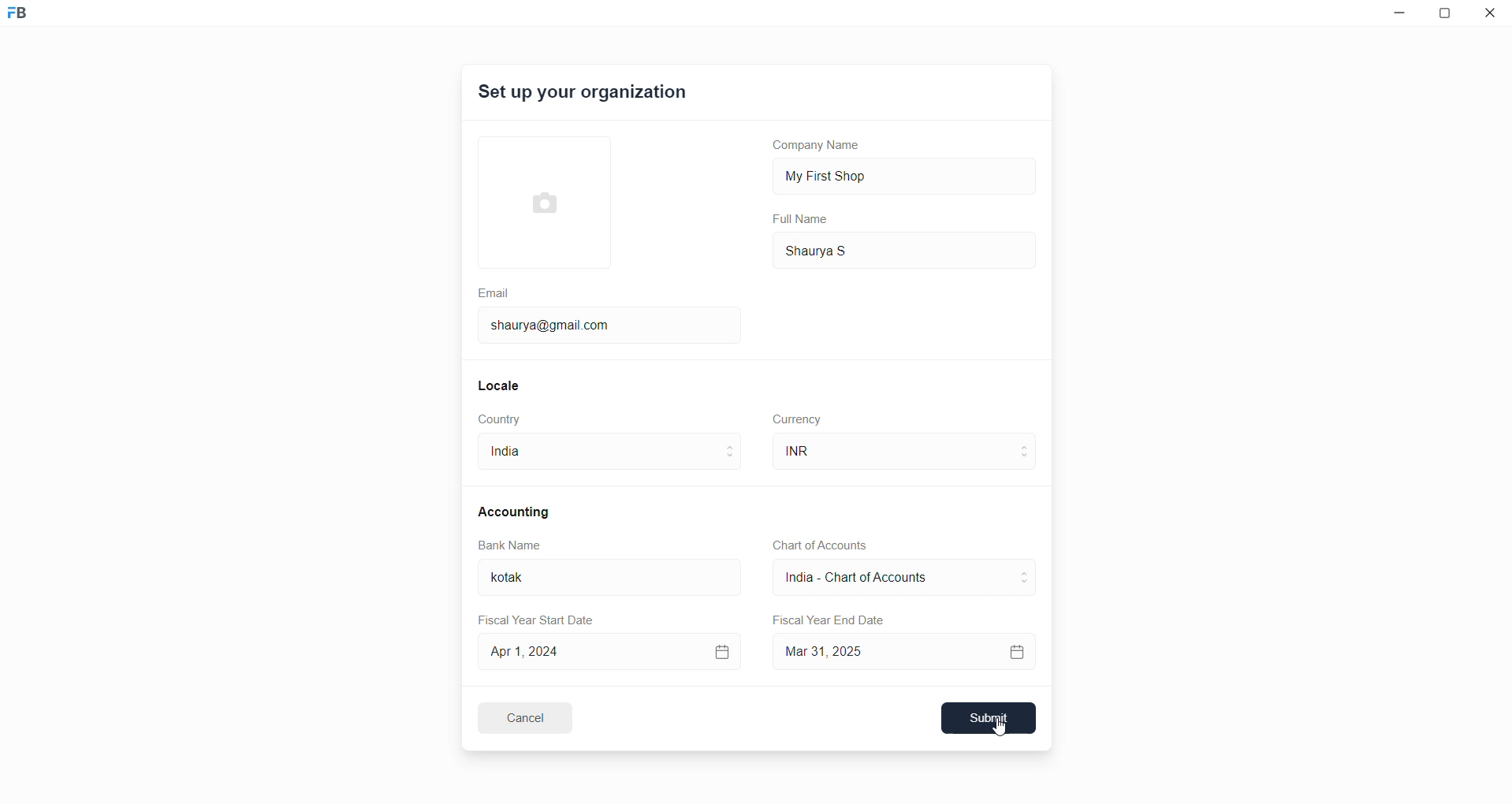  What do you see at coordinates (1491, 16) in the screenshot?
I see `close` at bounding box center [1491, 16].